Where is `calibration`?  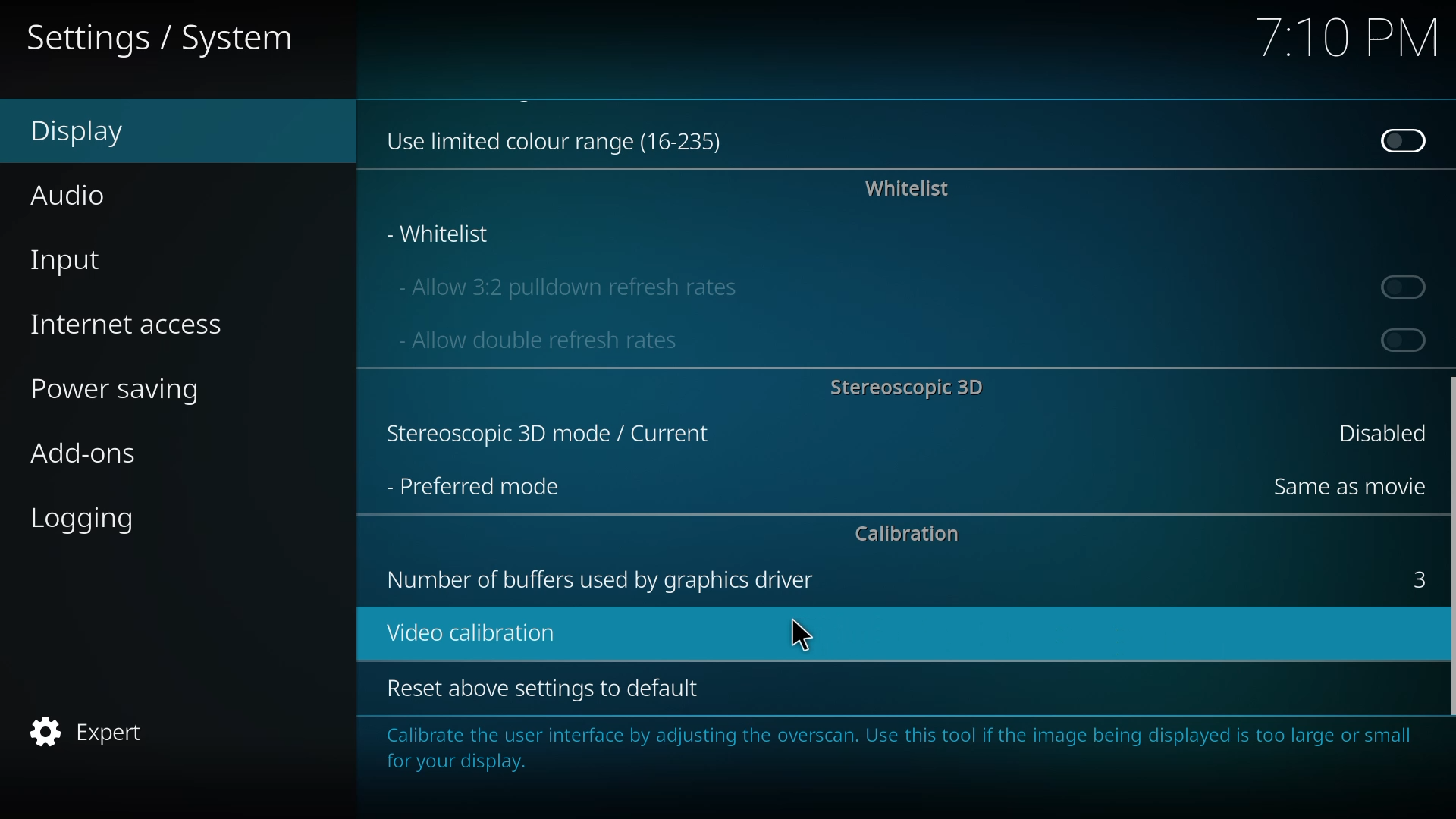
calibration is located at coordinates (906, 535).